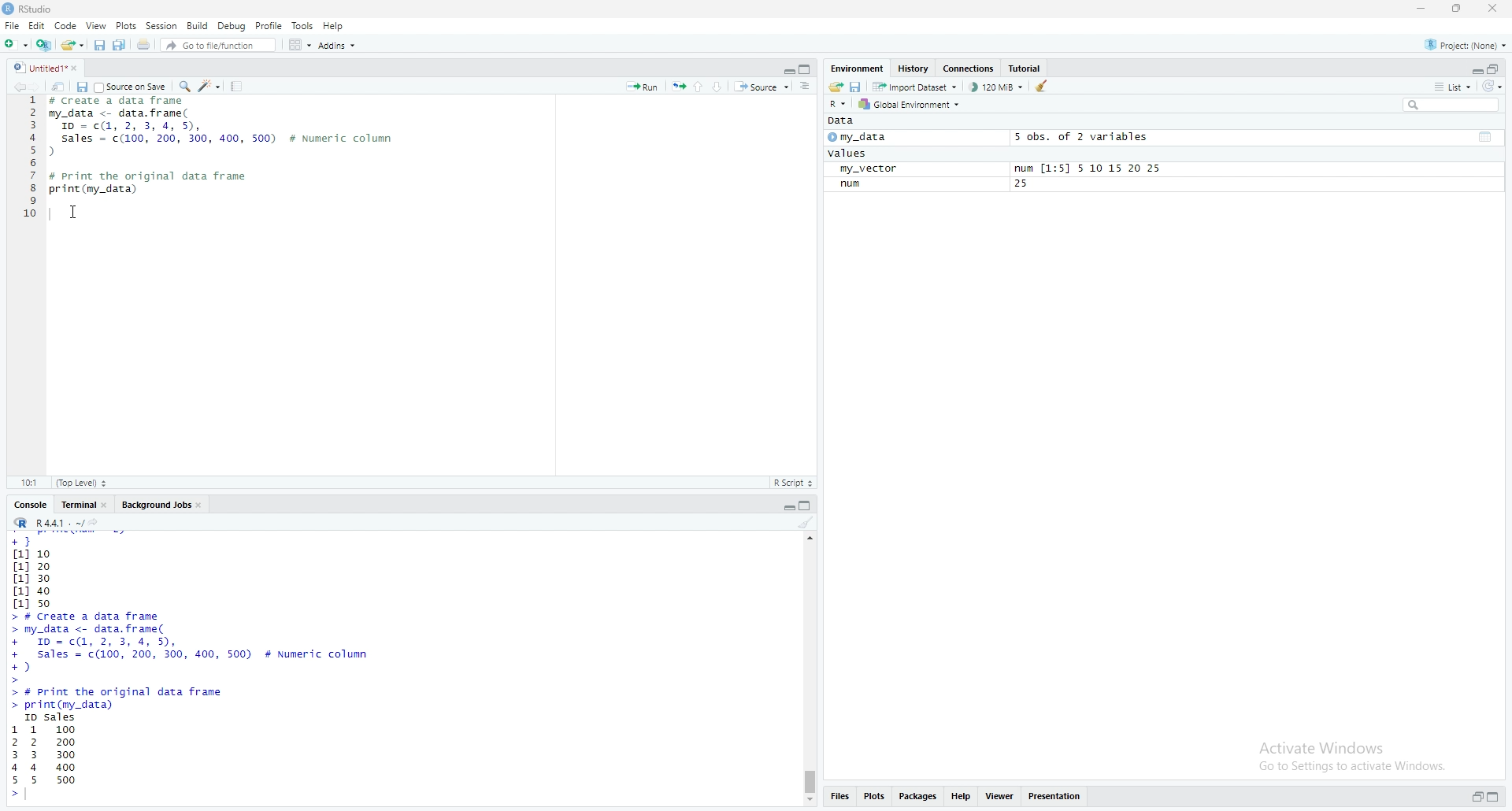  Describe the element at coordinates (198, 25) in the screenshot. I see `Build` at that location.